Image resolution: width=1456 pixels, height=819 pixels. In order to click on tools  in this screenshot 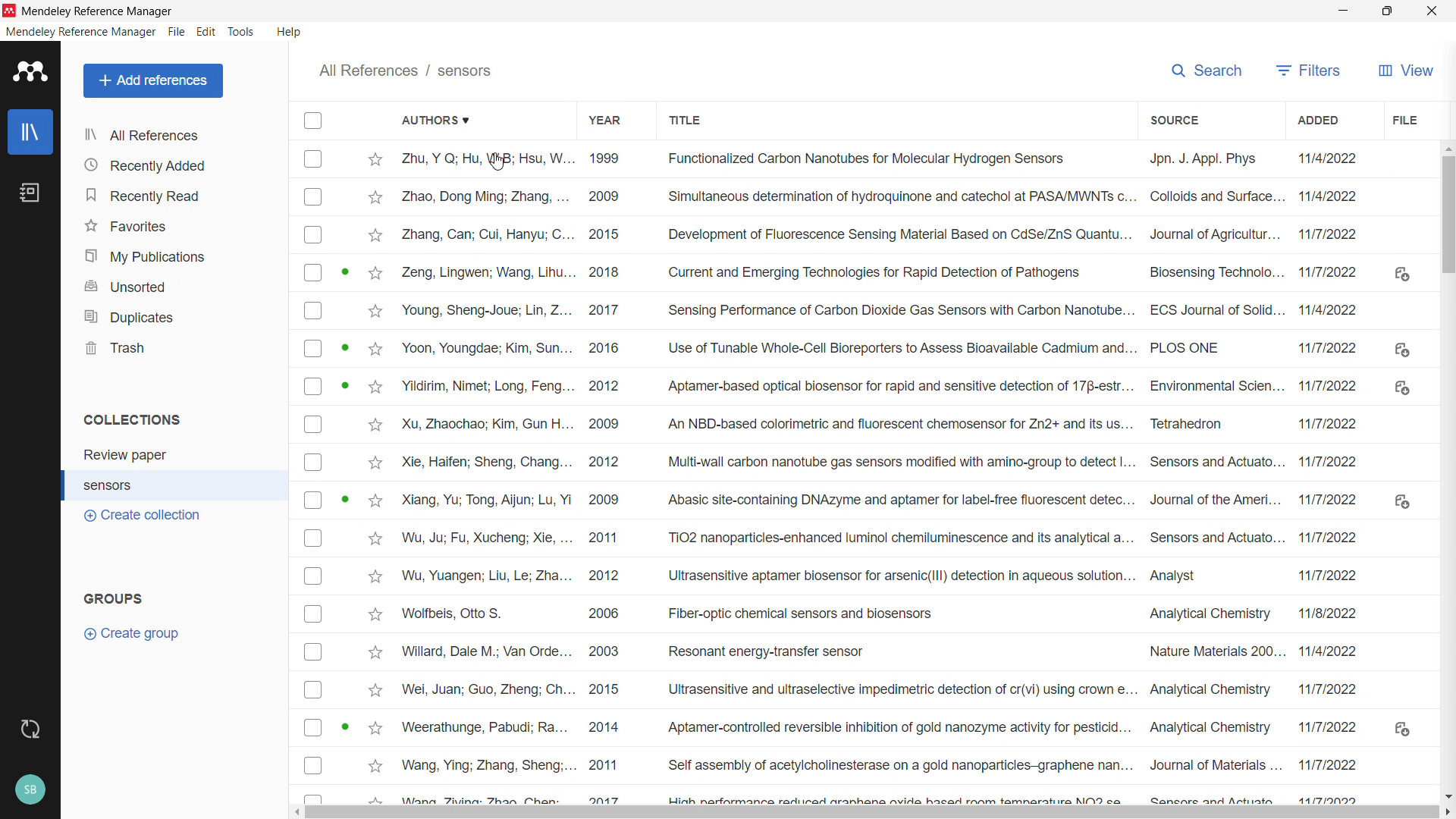, I will do `click(243, 32)`.